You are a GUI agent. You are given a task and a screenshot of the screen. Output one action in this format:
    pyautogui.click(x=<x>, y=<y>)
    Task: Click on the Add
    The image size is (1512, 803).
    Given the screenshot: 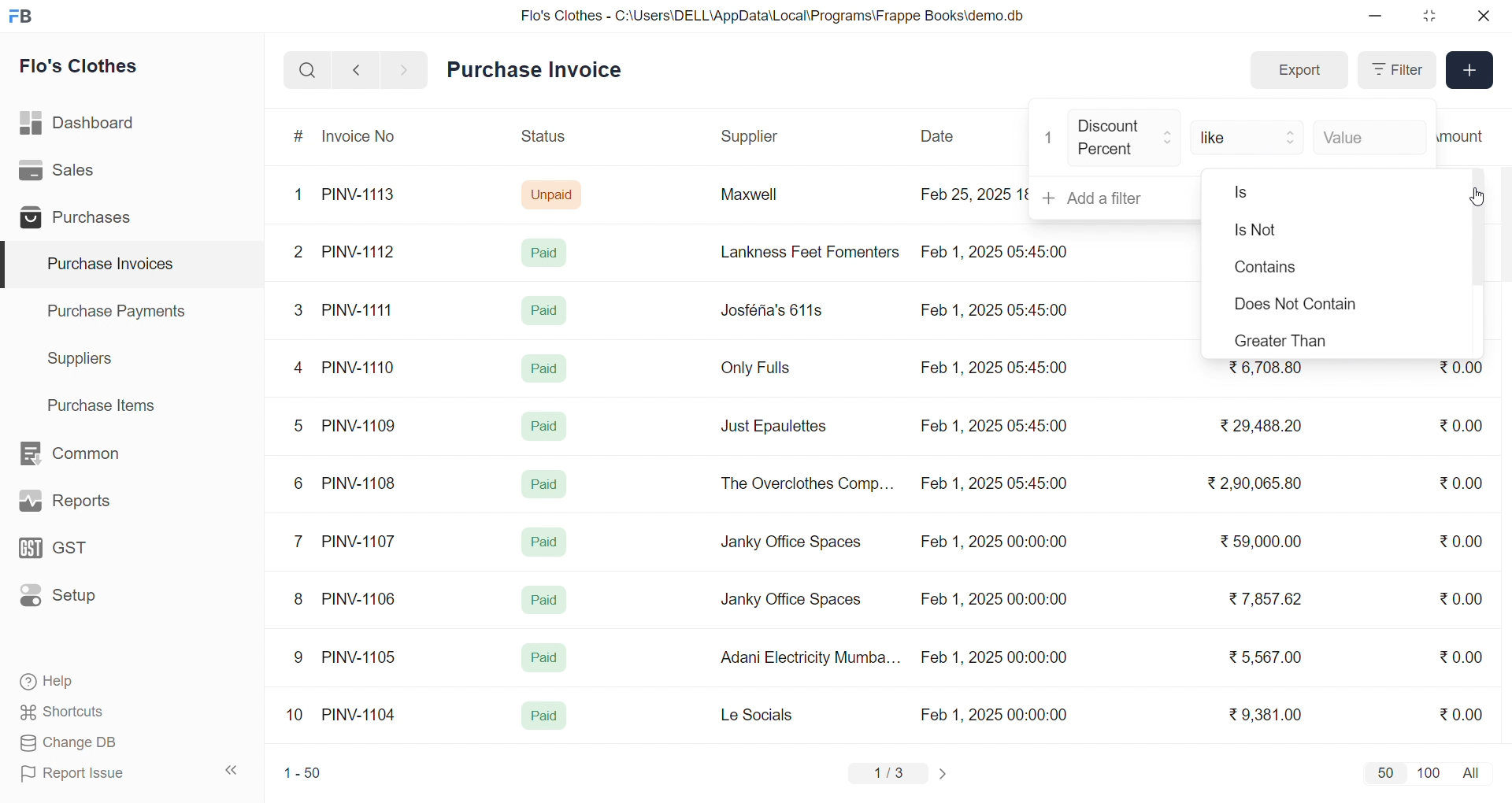 What is the action you would take?
    pyautogui.click(x=1470, y=71)
    